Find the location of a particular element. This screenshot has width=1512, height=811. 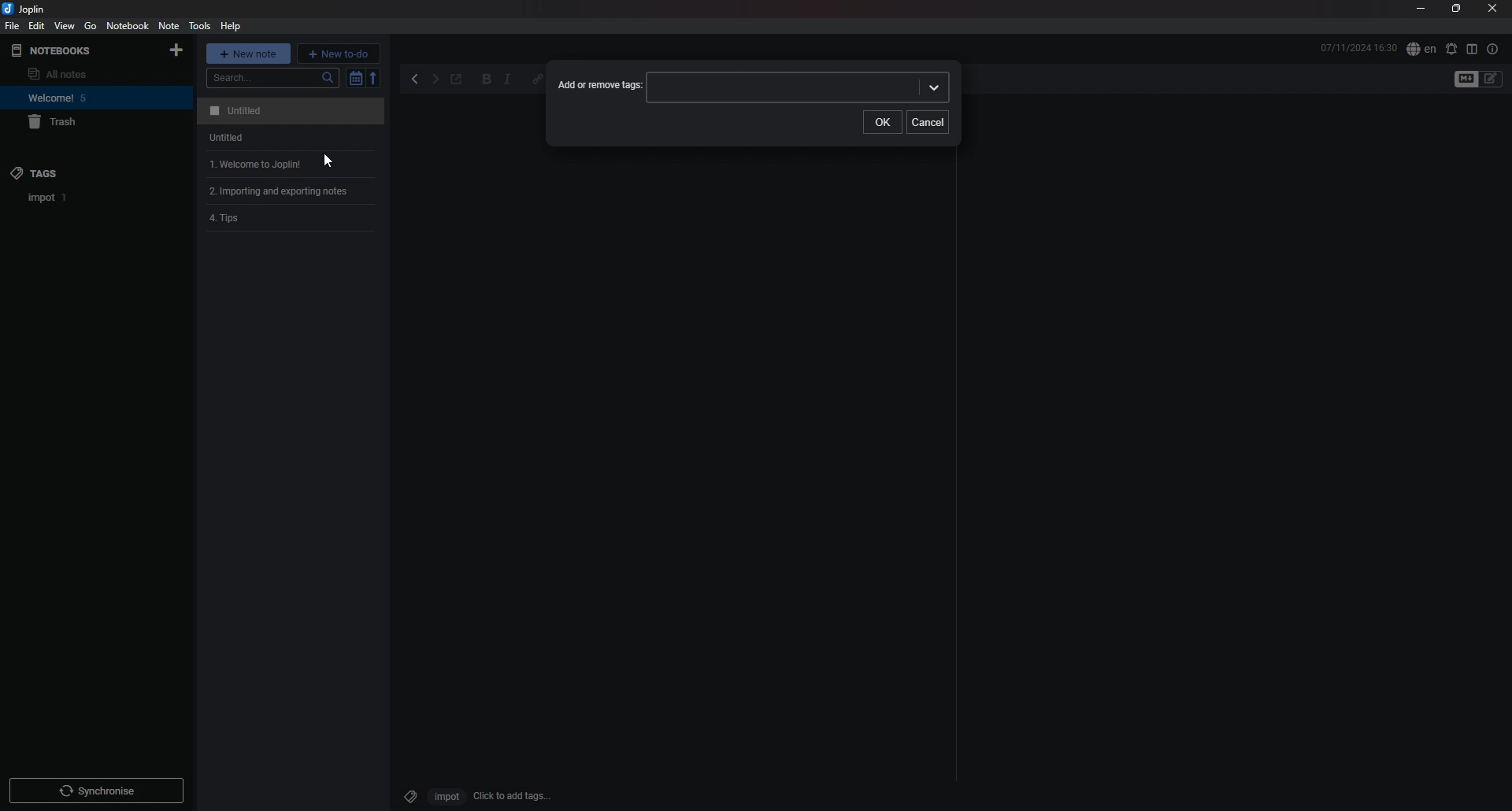

bold is located at coordinates (487, 80).